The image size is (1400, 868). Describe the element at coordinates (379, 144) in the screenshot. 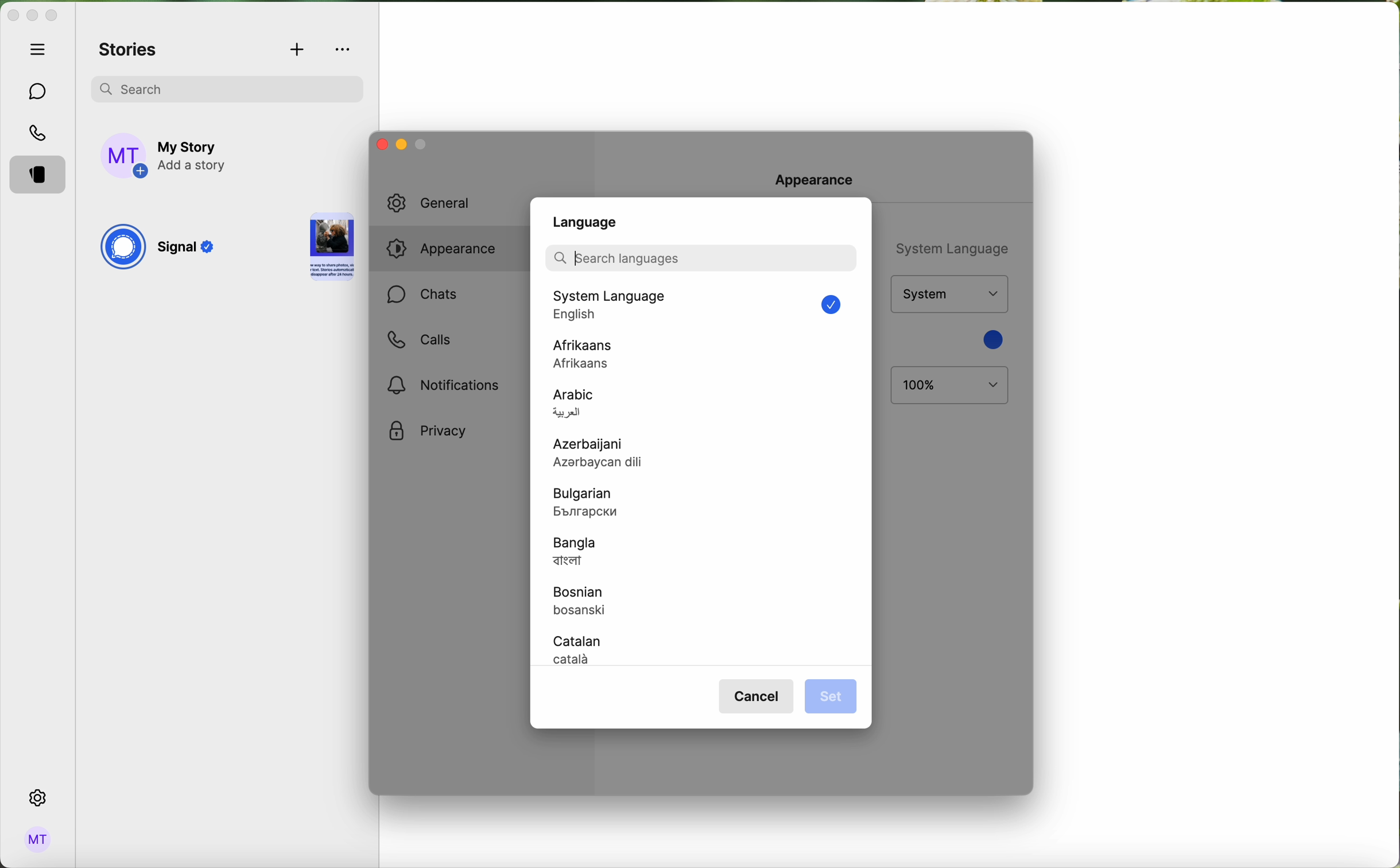

I see `close window` at that location.